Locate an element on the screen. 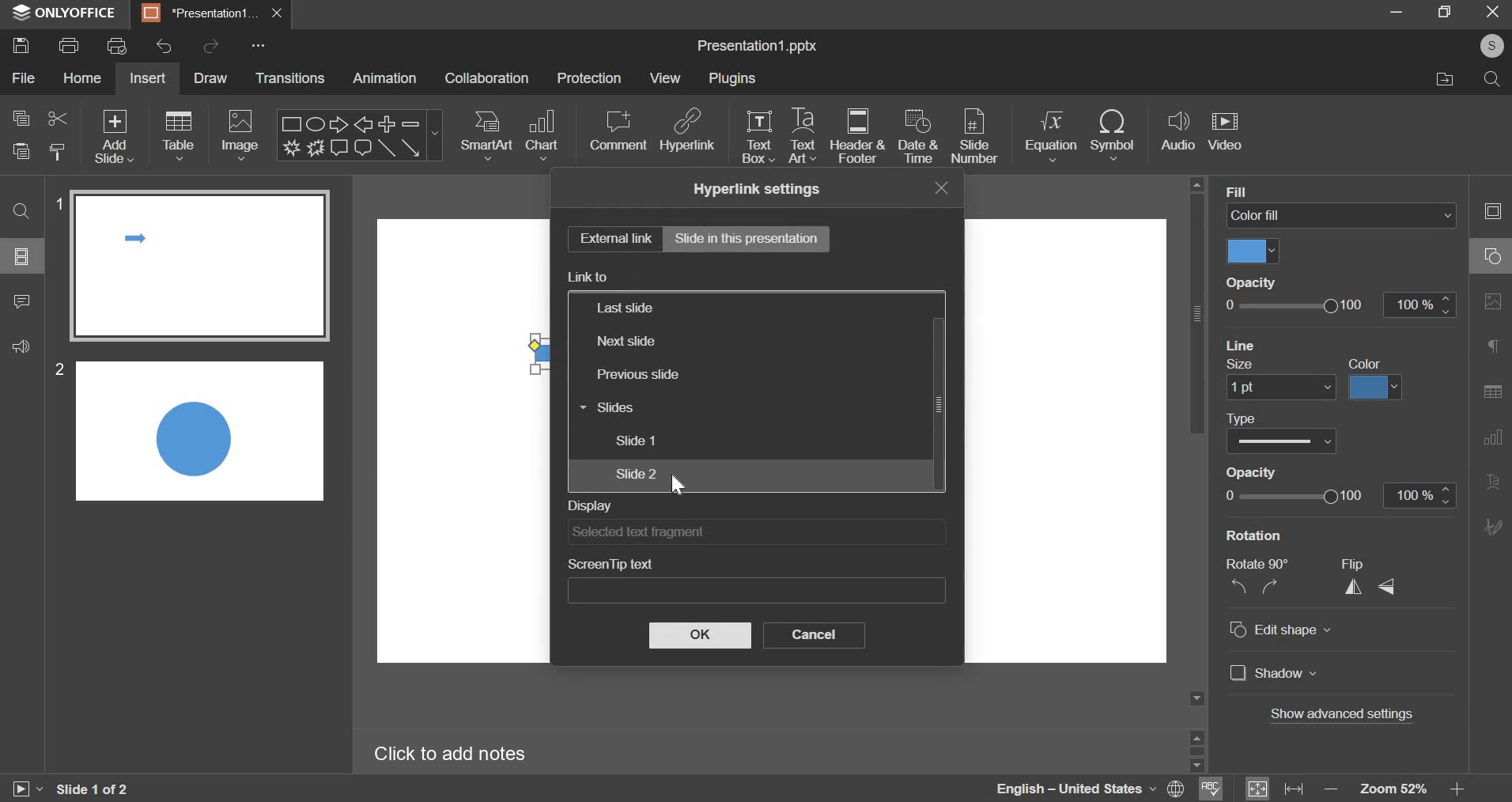 Image resolution: width=1512 pixels, height=802 pixels. Line is located at coordinates (386, 148).